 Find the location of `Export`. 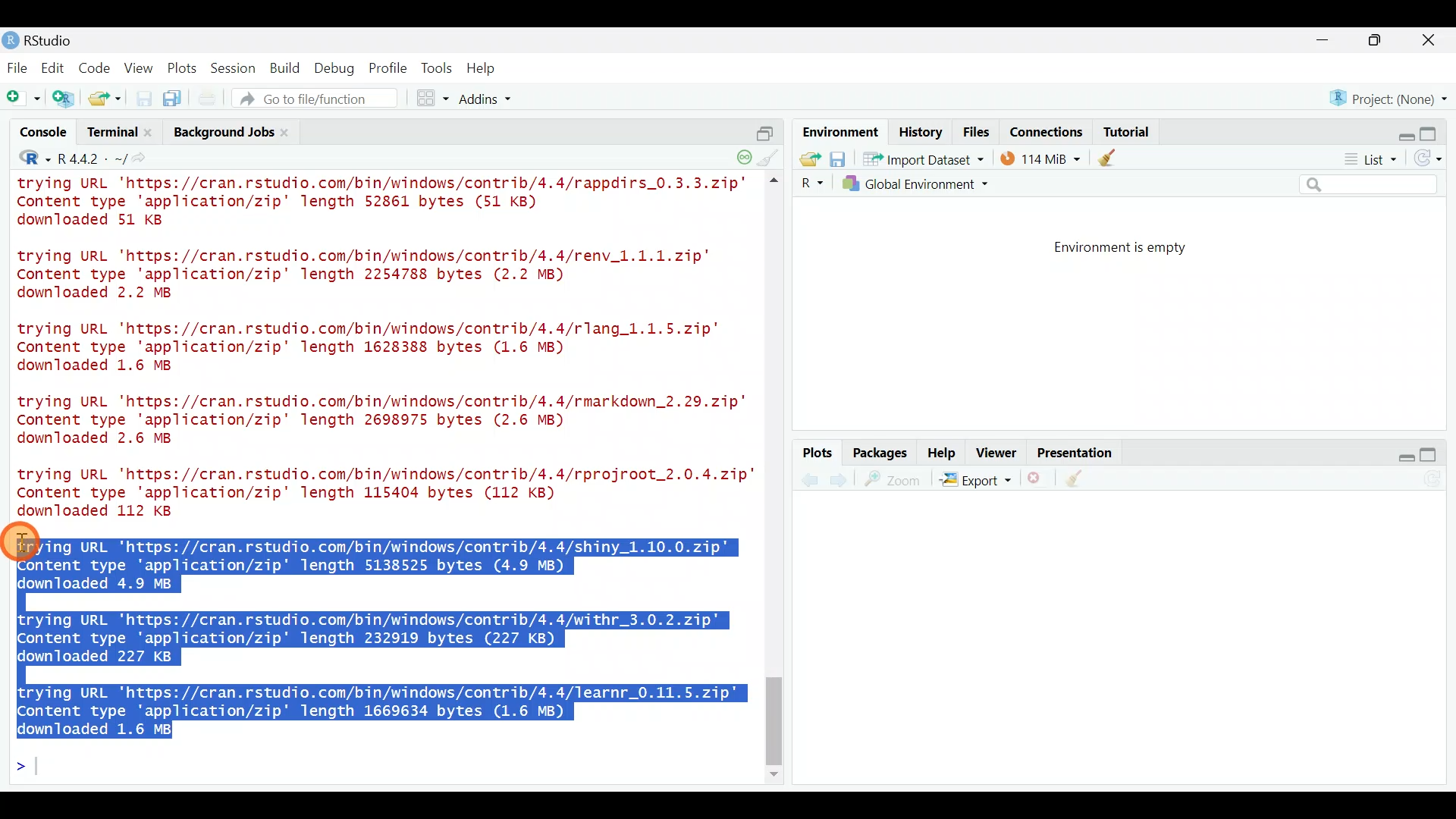

Export is located at coordinates (975, 482).